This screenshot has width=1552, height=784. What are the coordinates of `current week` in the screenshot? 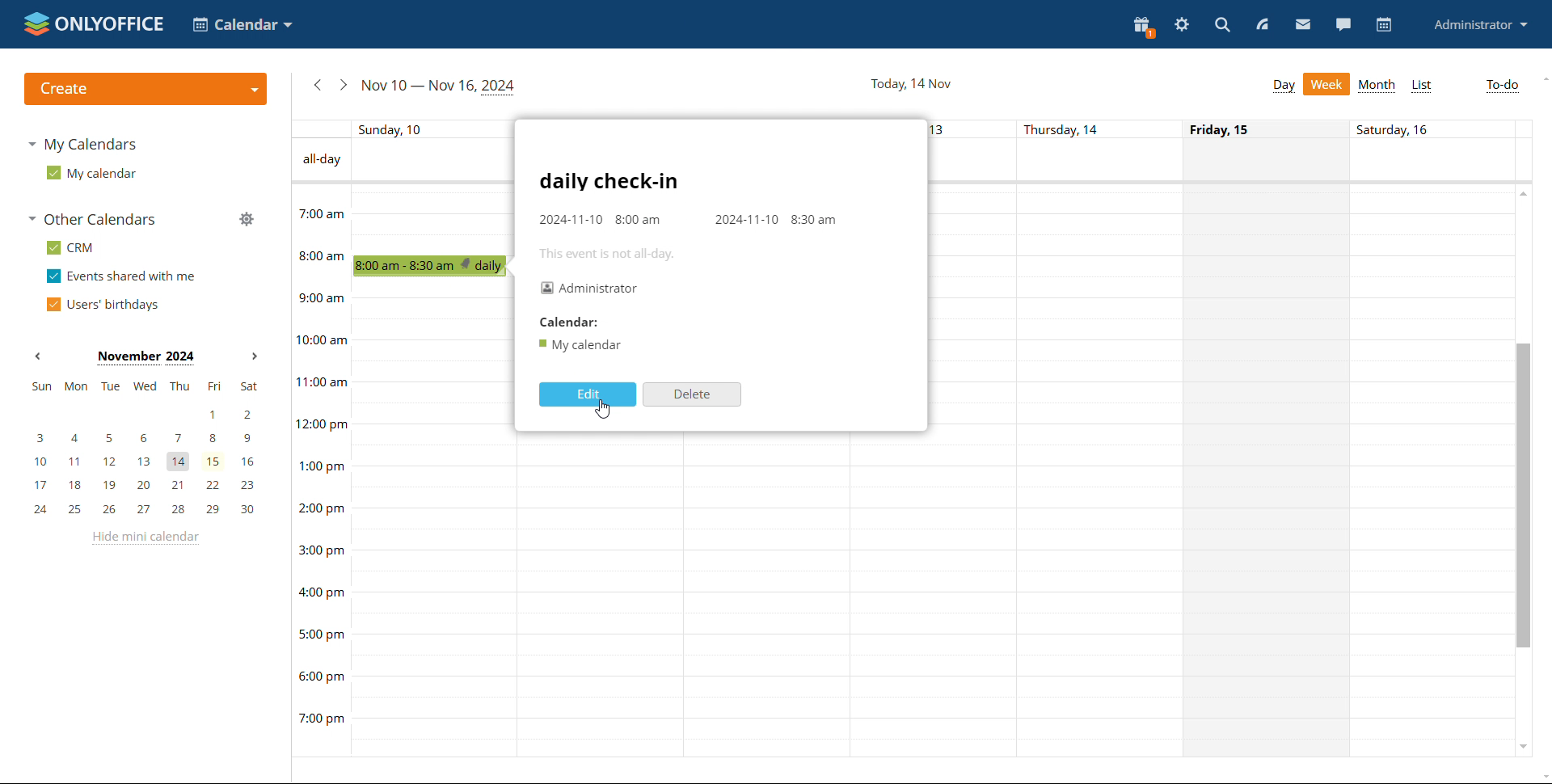 It's located at (440, 86).